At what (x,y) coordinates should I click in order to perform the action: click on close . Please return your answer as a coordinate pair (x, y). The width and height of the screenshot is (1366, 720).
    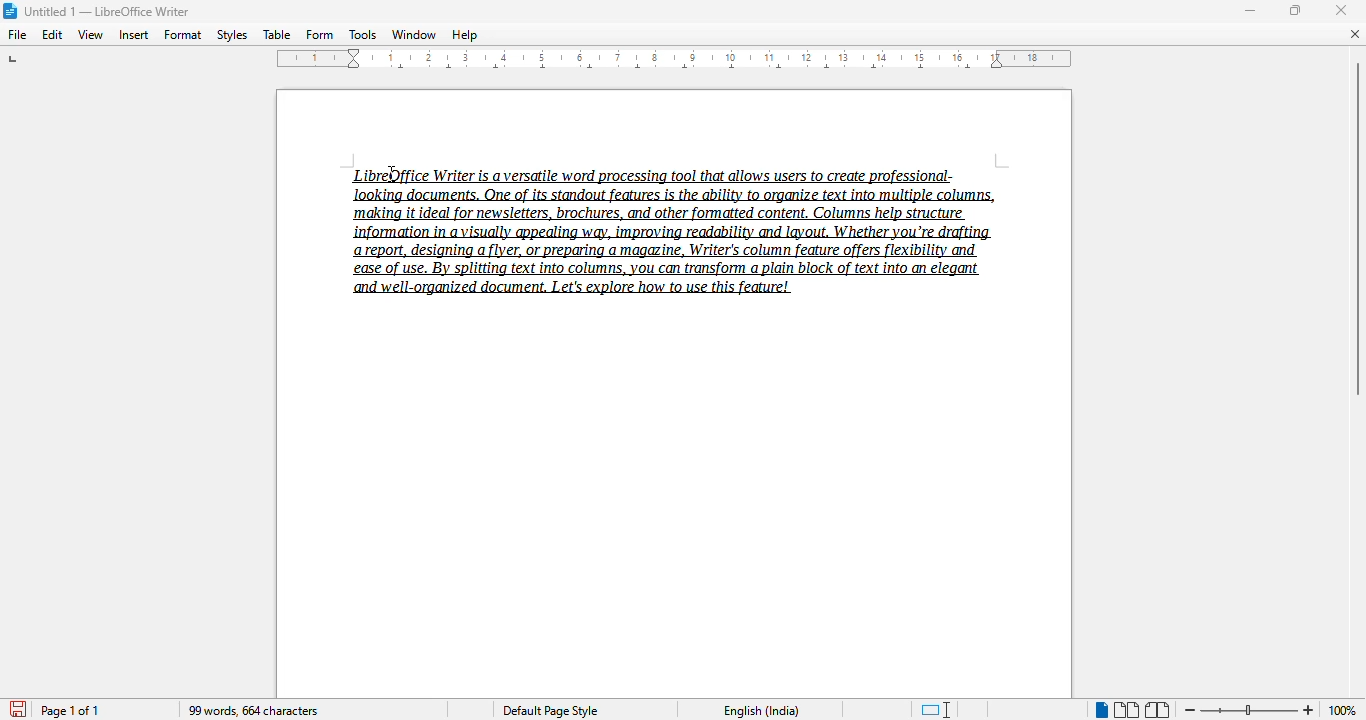
    Looking at the image, I should click on (1341, 10).